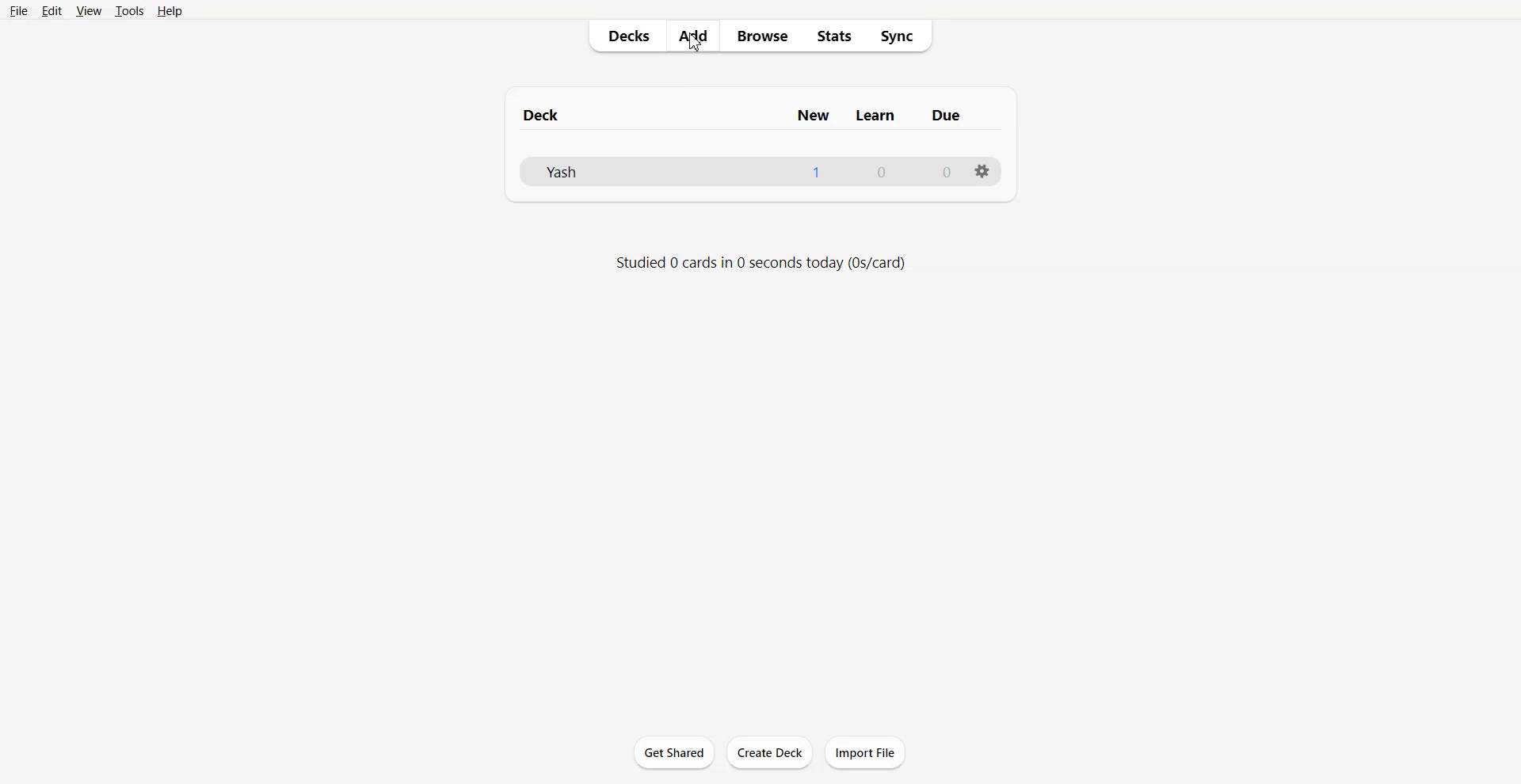 Image resolution: width=1521 pixels, height=784 pixels. Describe the element at coordinates (760, 36) in the screenshot. I see `Browse` at that location.